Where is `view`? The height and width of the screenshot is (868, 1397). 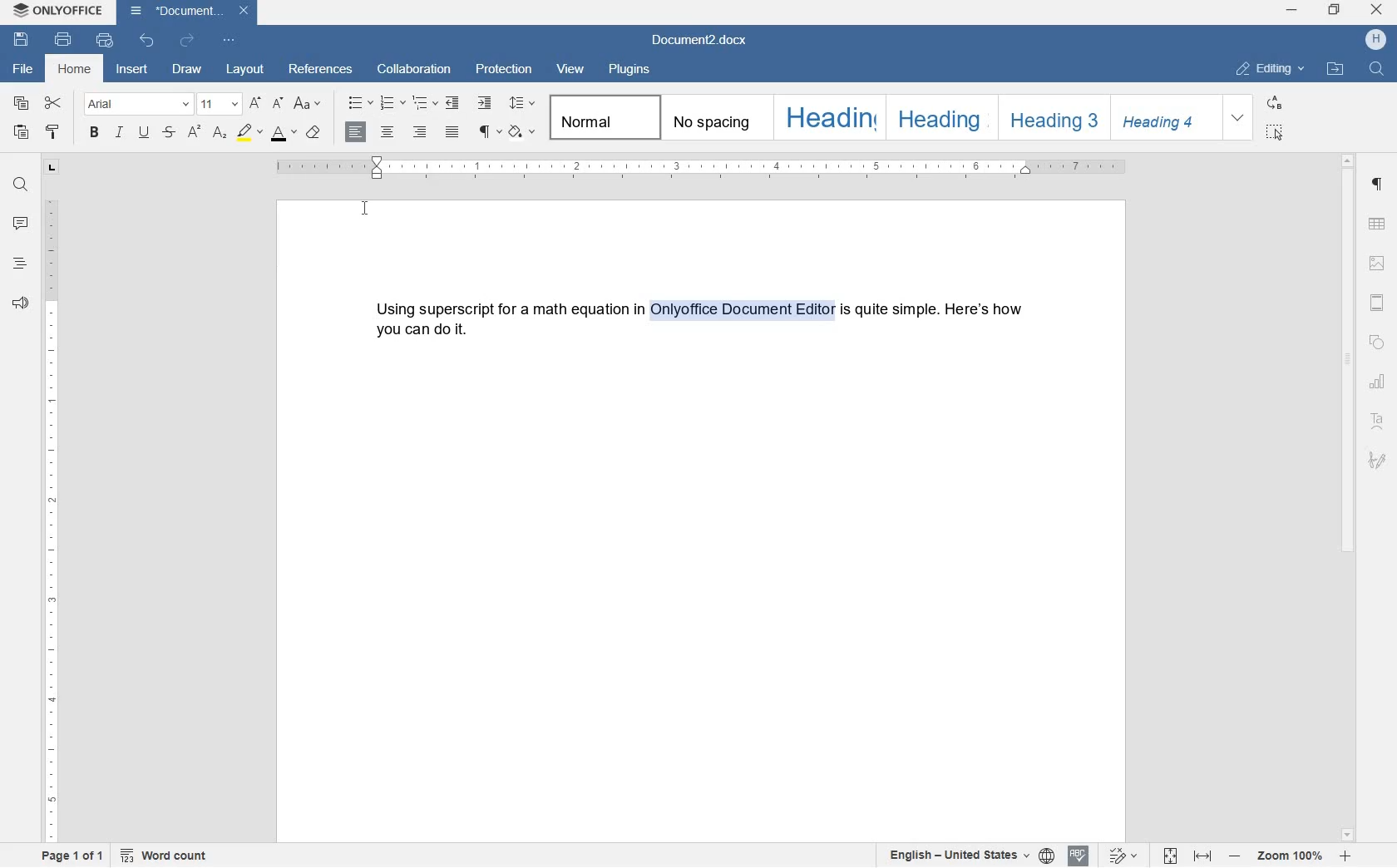 view is located at coordinates (571, 67).